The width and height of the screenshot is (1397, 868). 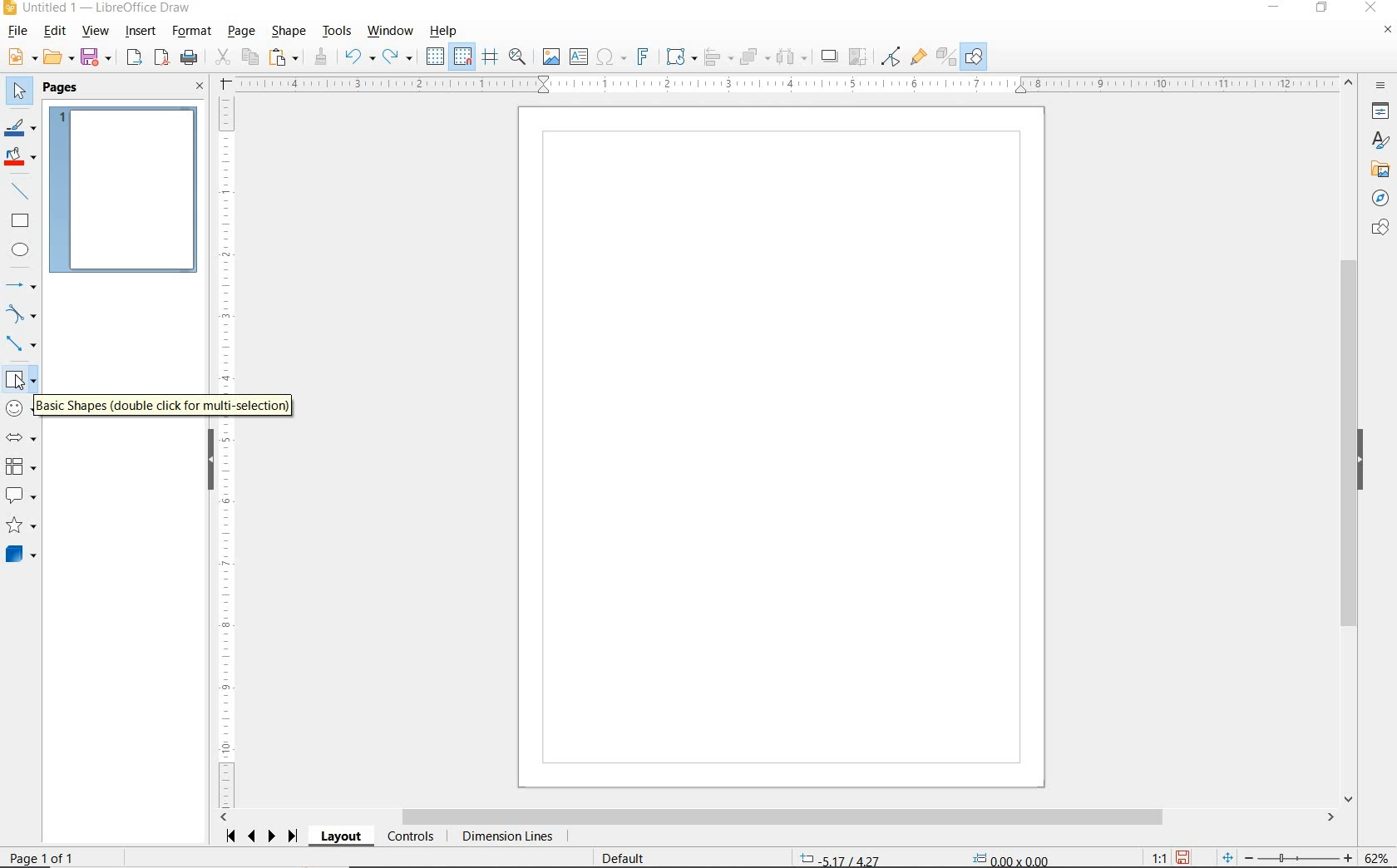 What do you see at coordinates (493, 59) in the screenshot?
I see `HELPLINES WHILE MOVING` at bounding box center [493, 59].